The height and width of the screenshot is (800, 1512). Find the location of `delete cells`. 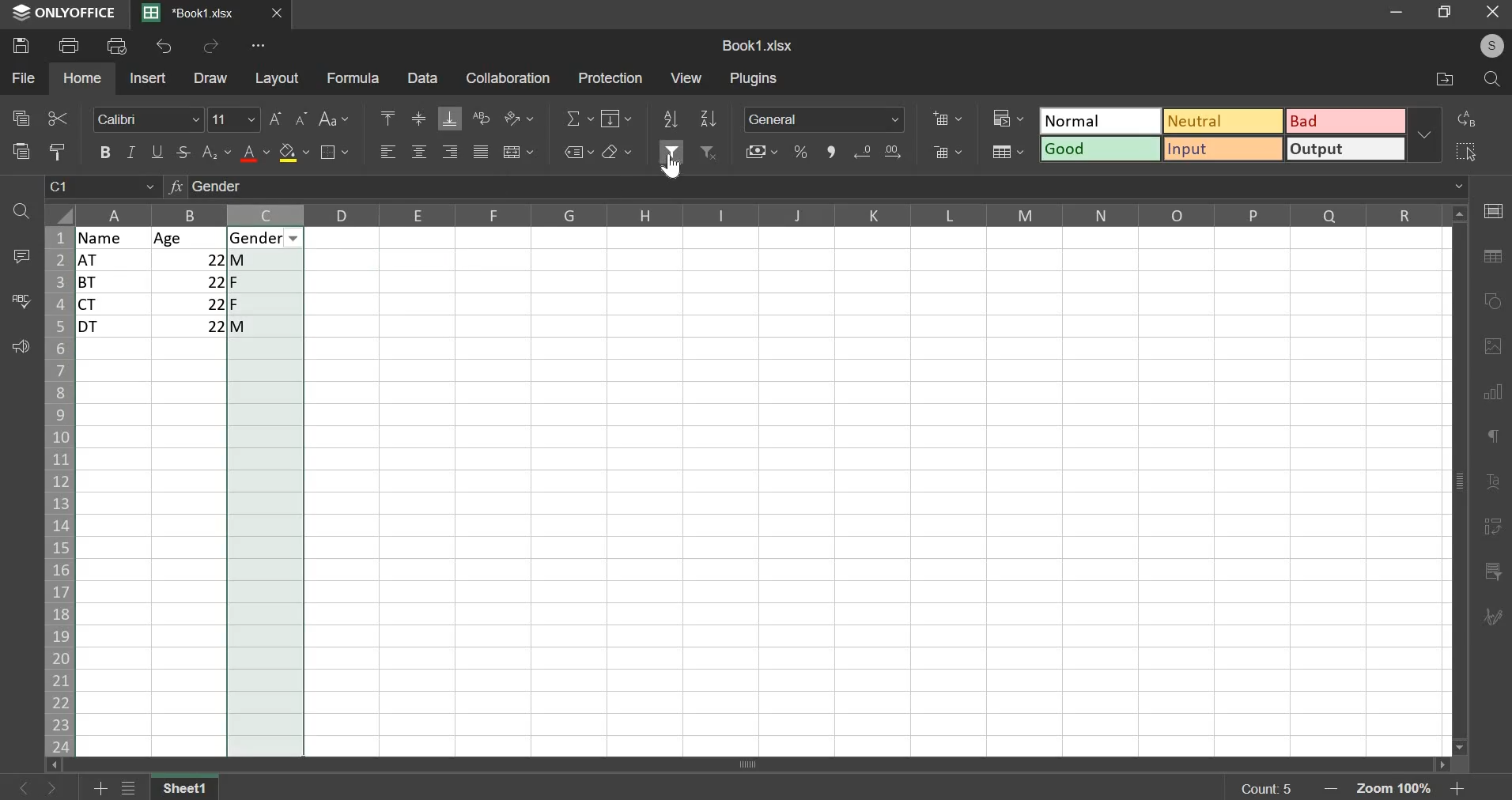

delete cells is located at coordinates (946, 152).